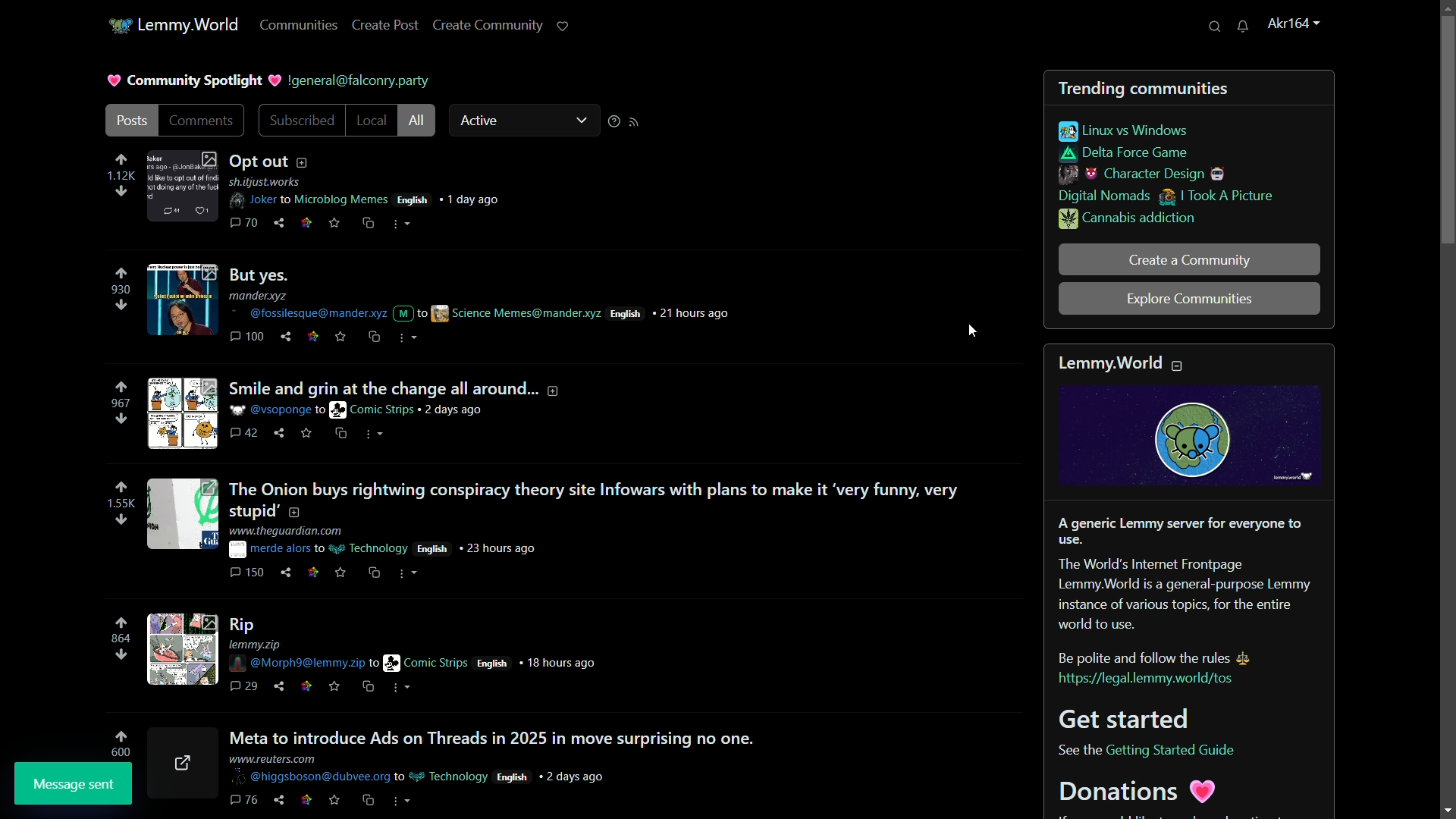  I want to click on post-5, so click(508, 733).